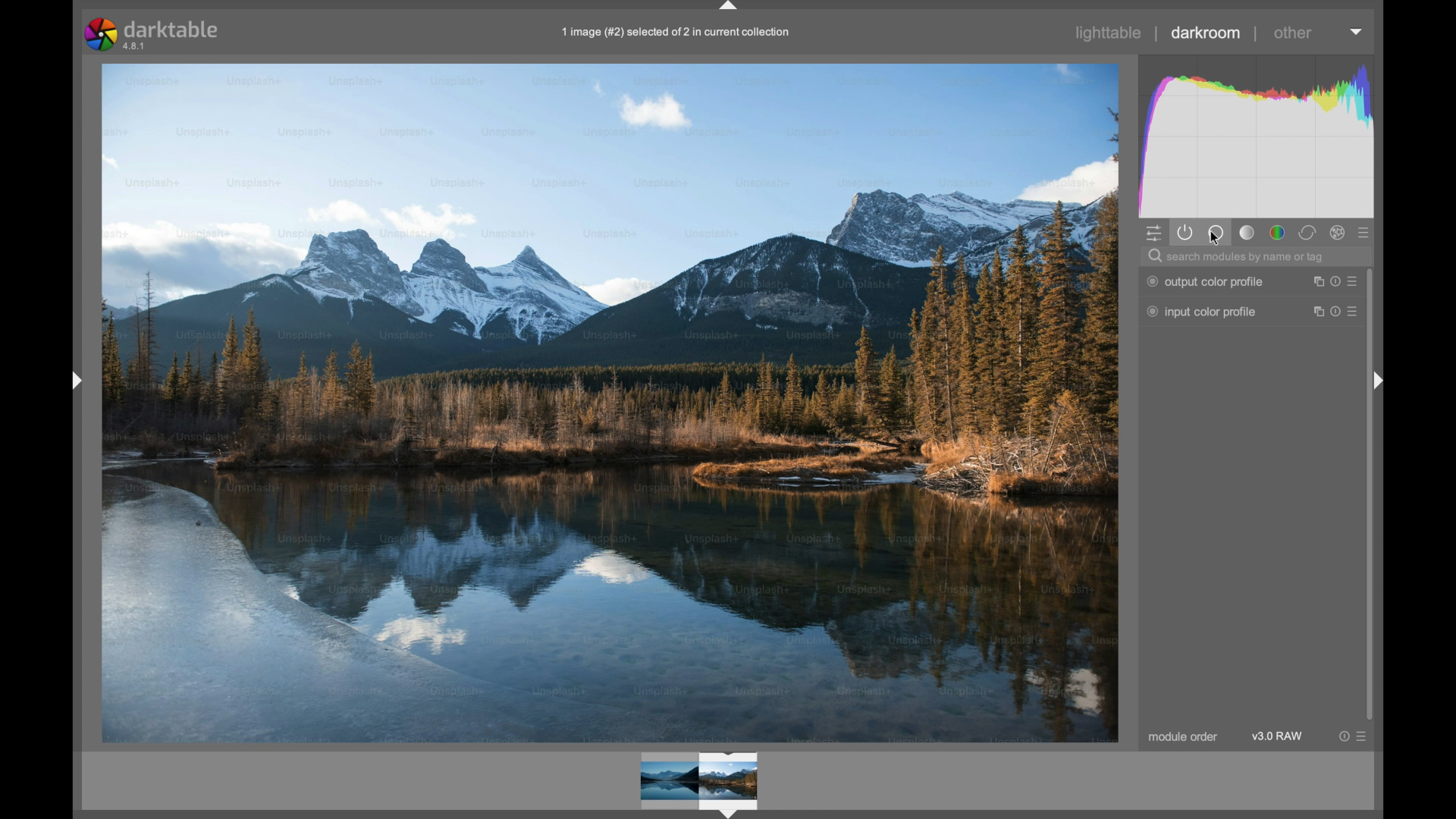  I want to click on drag handle, so click(1378, 381).